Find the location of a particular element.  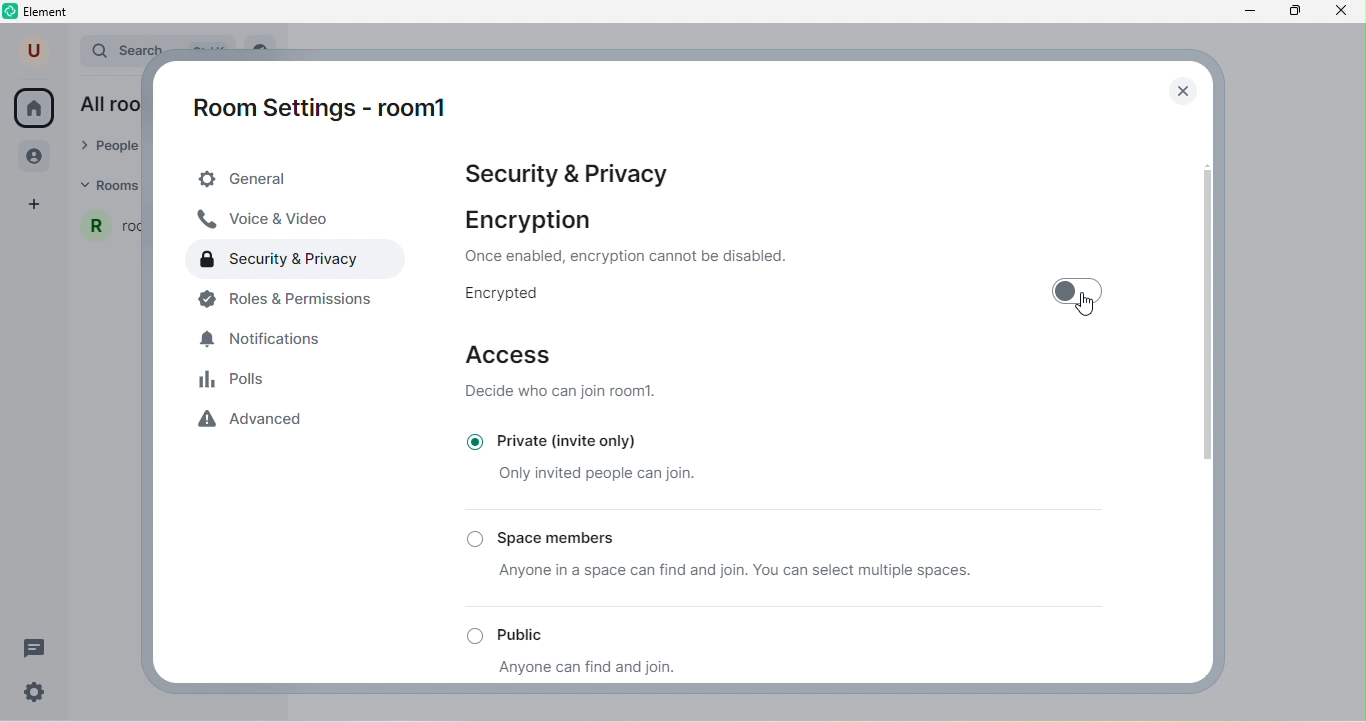

general is located at coordinates (301, 179).